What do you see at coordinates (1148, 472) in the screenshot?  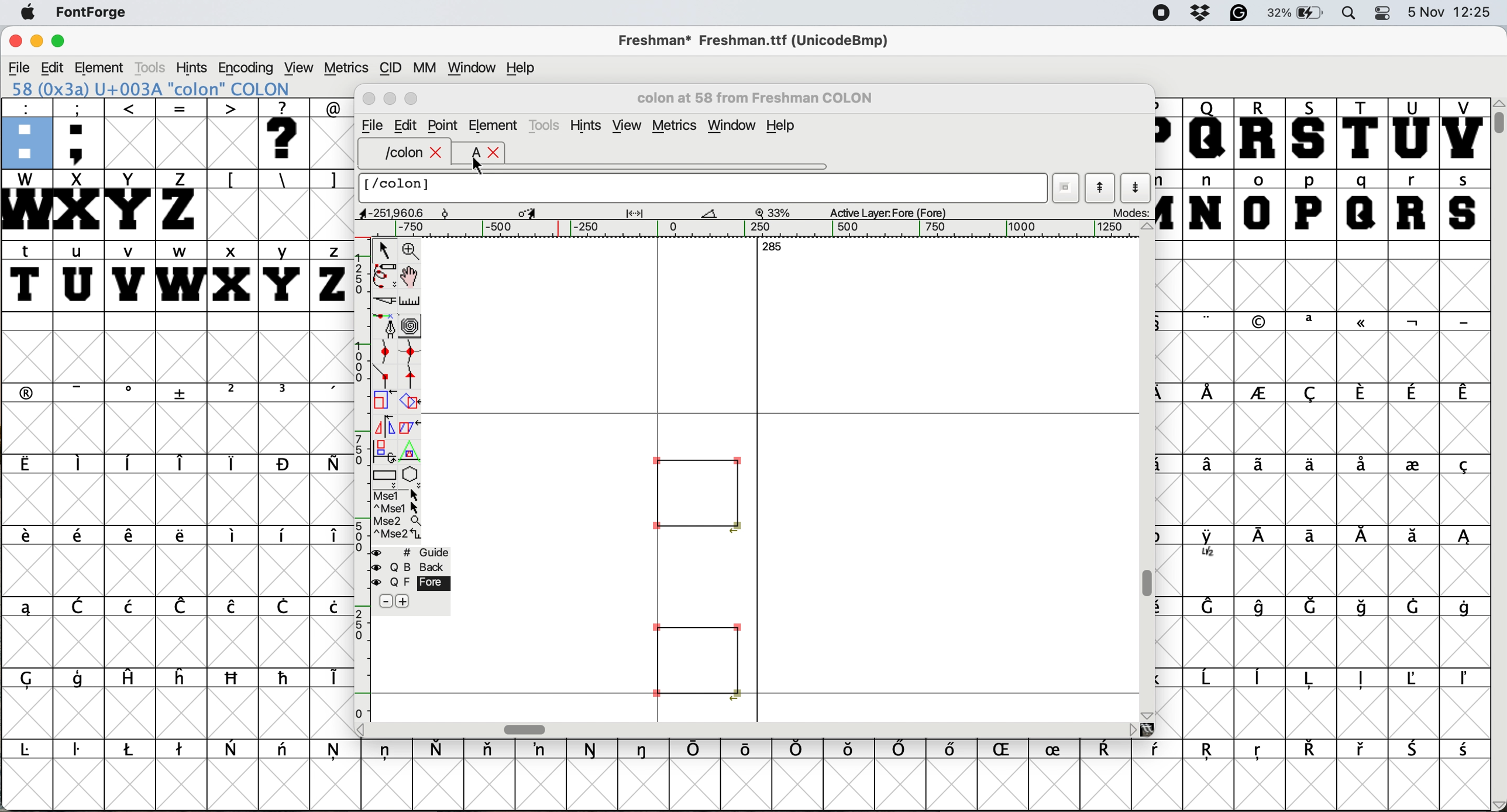 I see `vertical scroll bar` at bounding box center [1148, 472].